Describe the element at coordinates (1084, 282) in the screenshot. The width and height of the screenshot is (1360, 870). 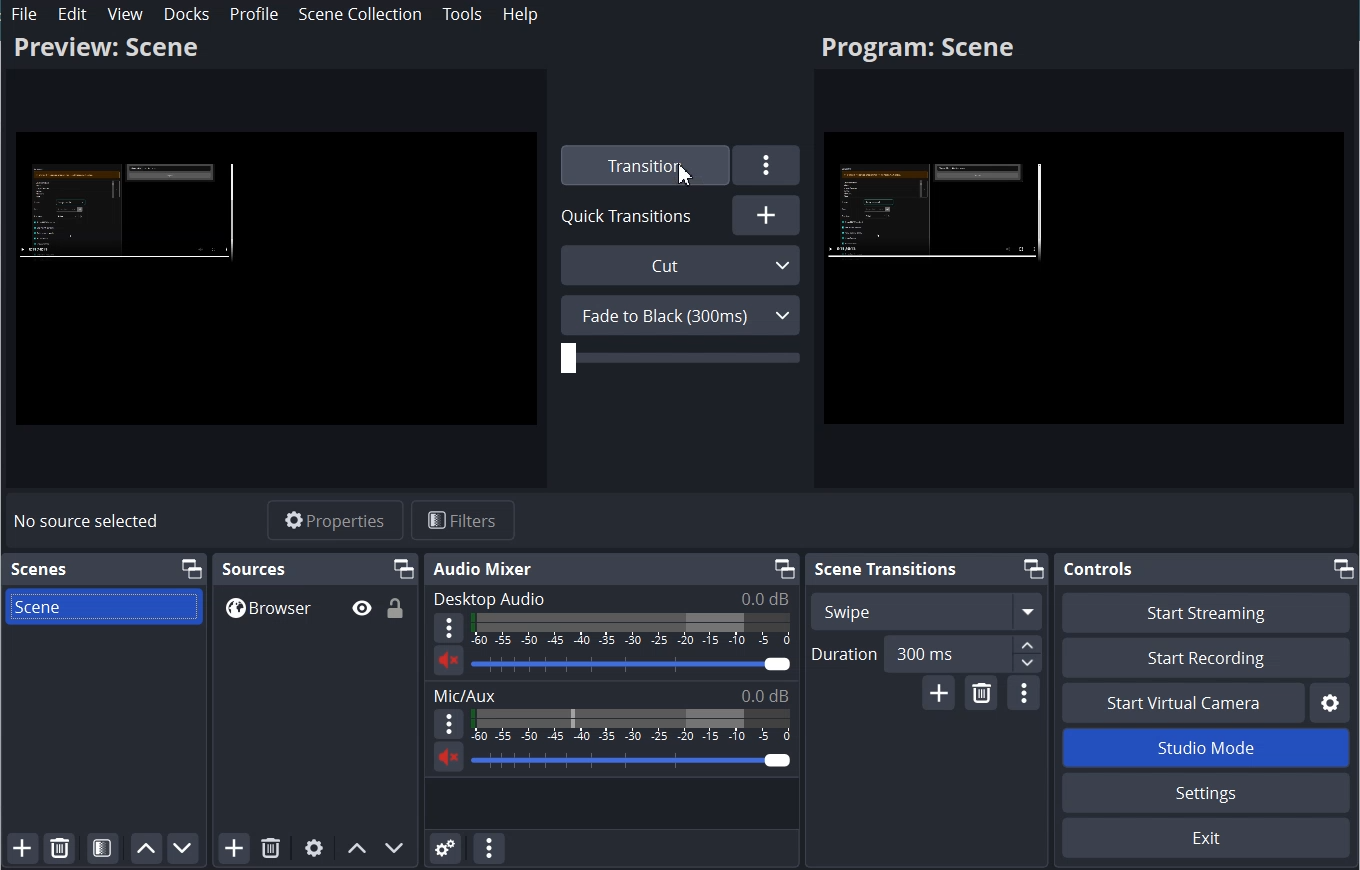
I see `Preview Scene Right` at that location.